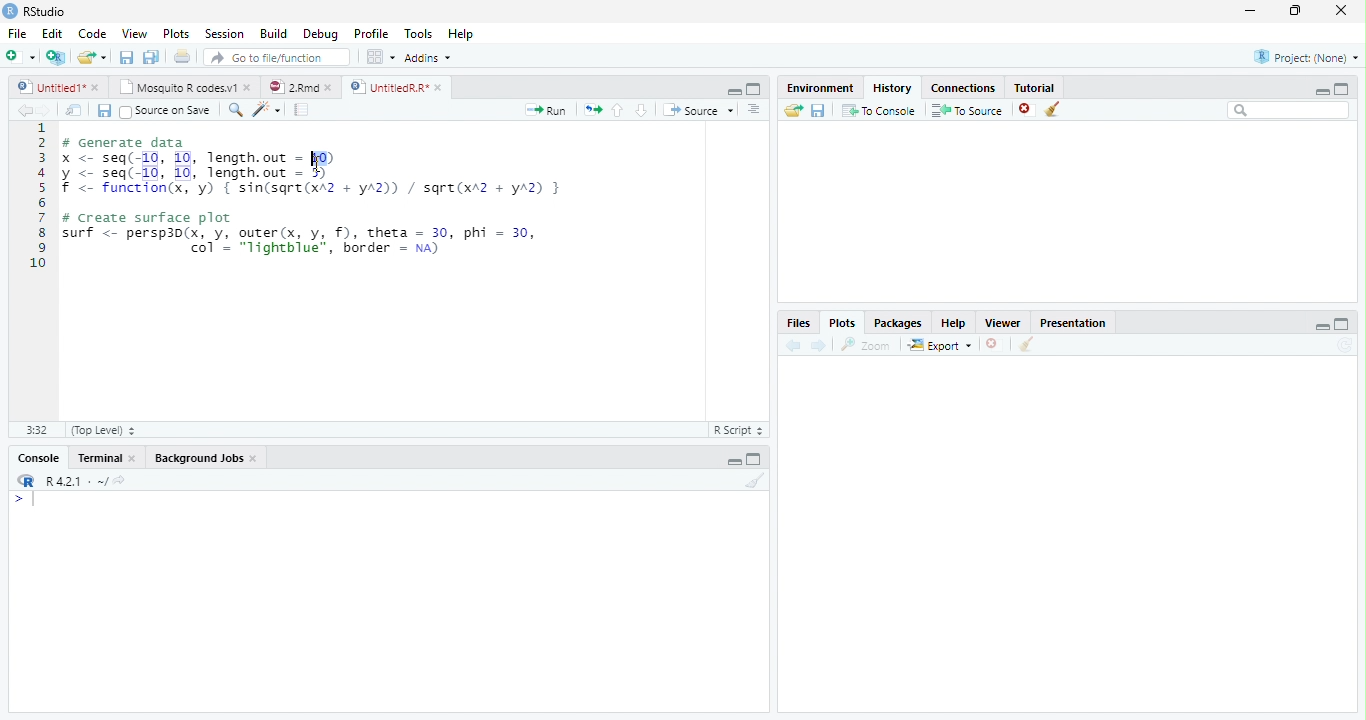 The image size is (1366, 720). Describe the element at coordinates (865, 345) in the screenshot. I see `Zoom` at that location.